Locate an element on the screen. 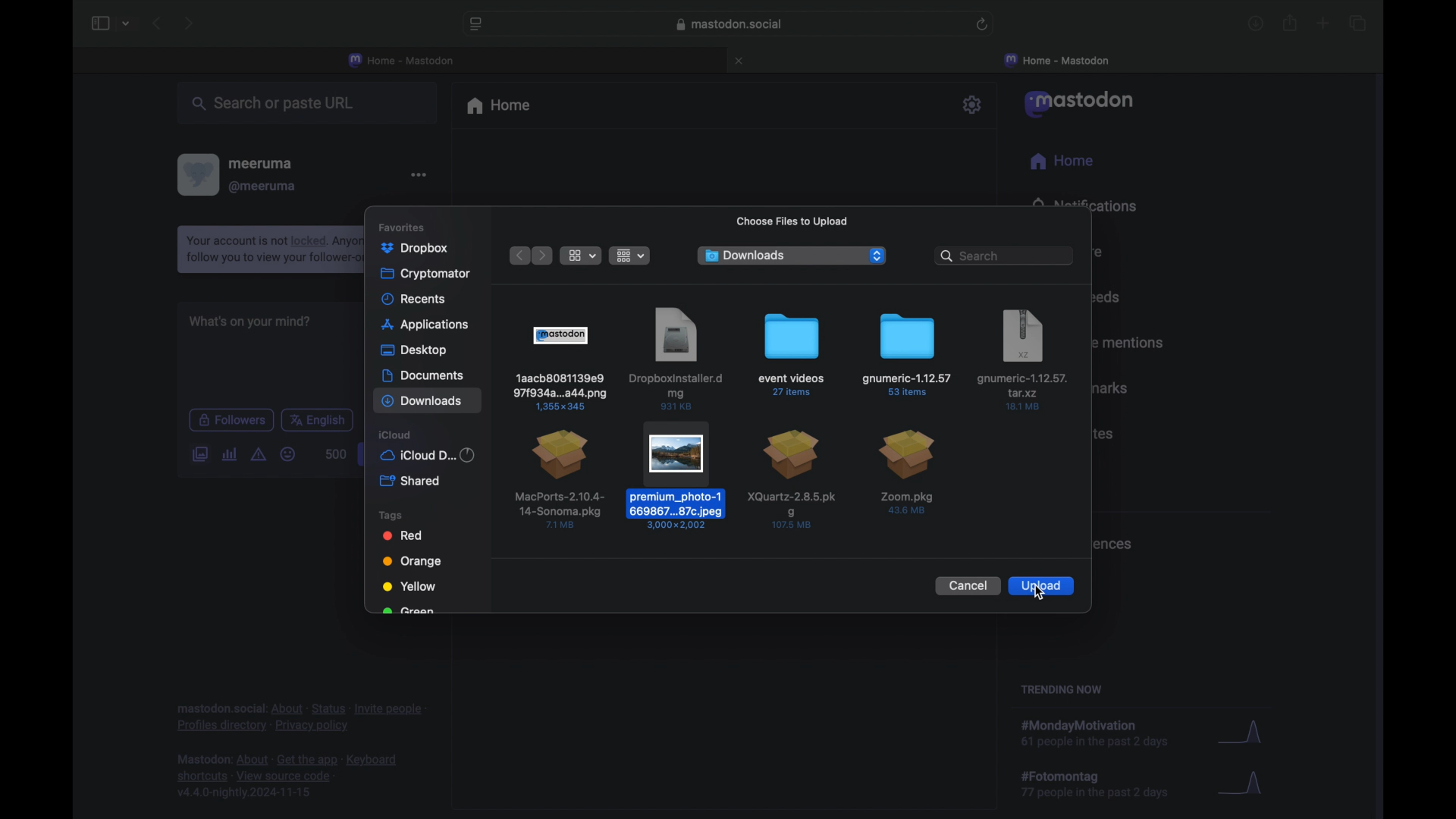 The width and height of the screenshot is (1456, 819). close is located at coordinates (742, 61).